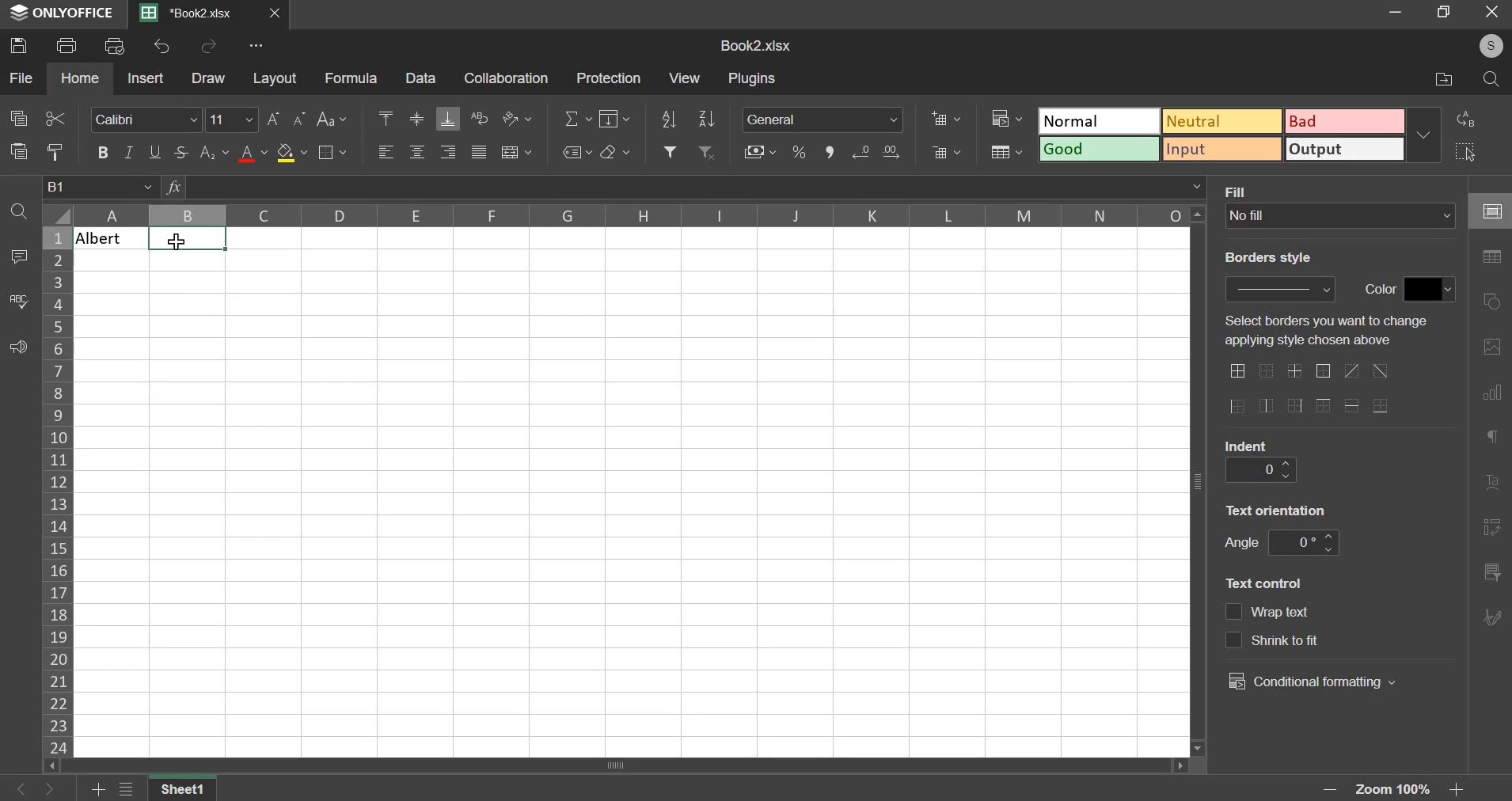 This screenshot has height=801, width=1512. Describe the element at coordinates (708, 152) in the screenshot. I see `remove filter` at that location.